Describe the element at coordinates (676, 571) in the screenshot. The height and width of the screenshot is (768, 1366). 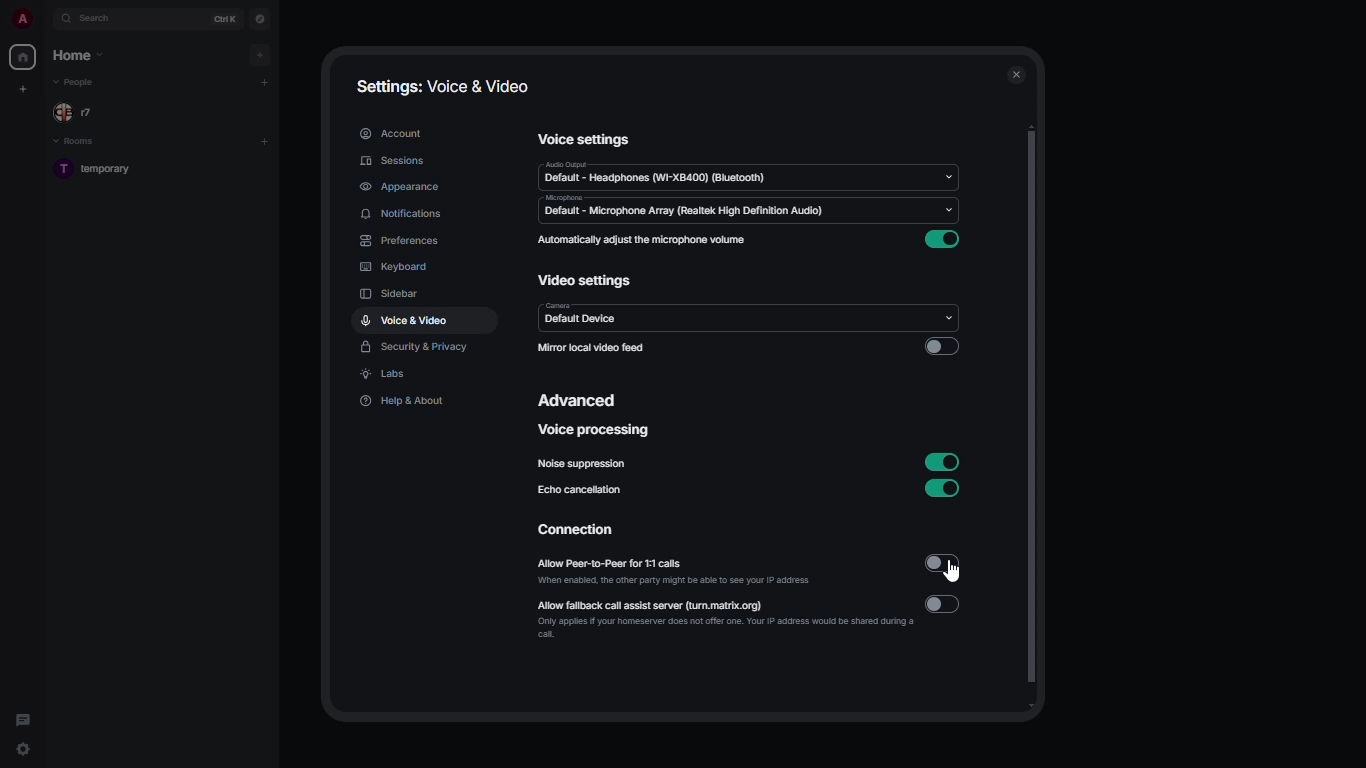
I see `allow peer-to-peer for 1:1 calls` at that location.